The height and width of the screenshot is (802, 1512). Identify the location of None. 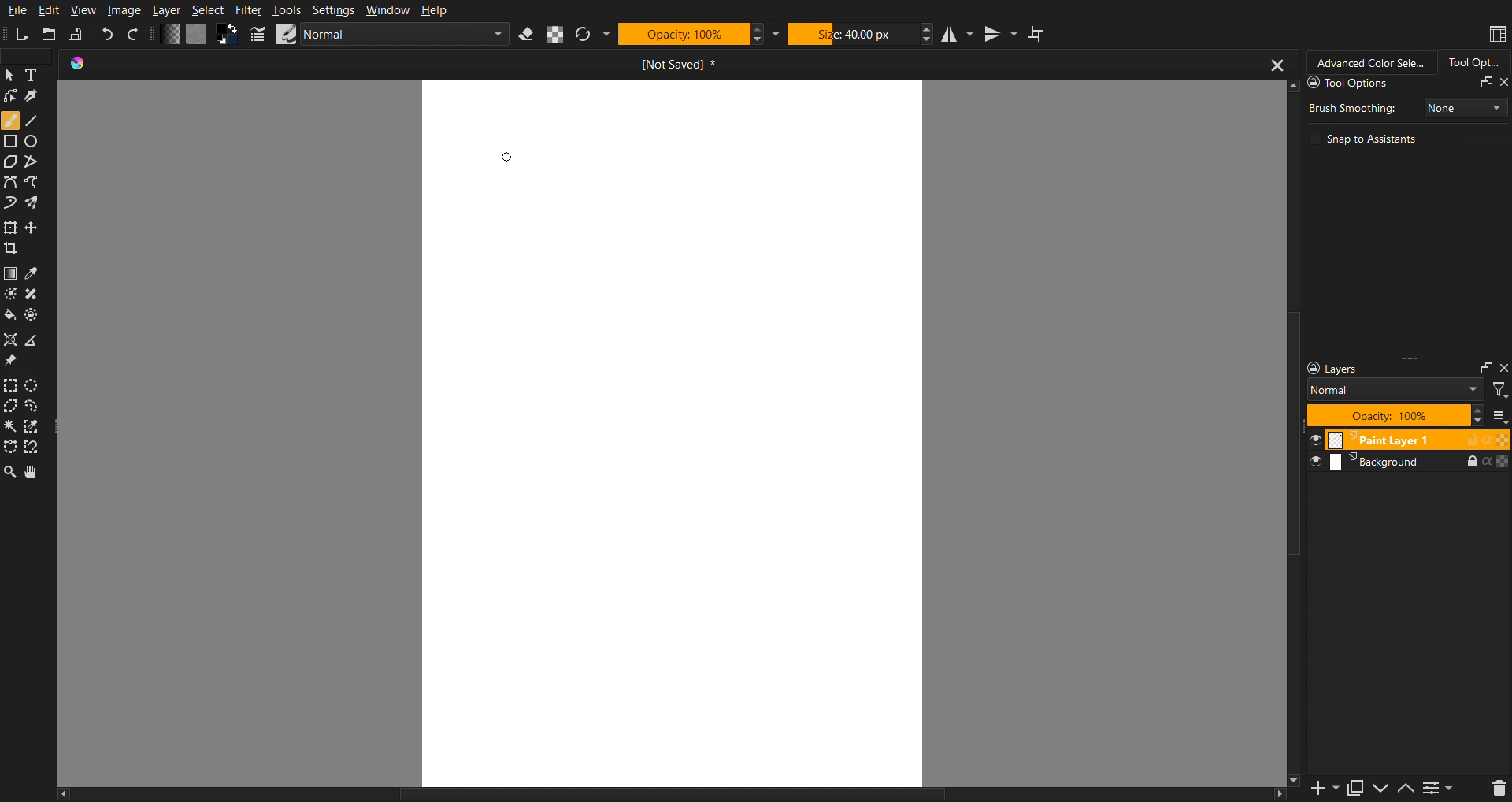
(1464, 106).